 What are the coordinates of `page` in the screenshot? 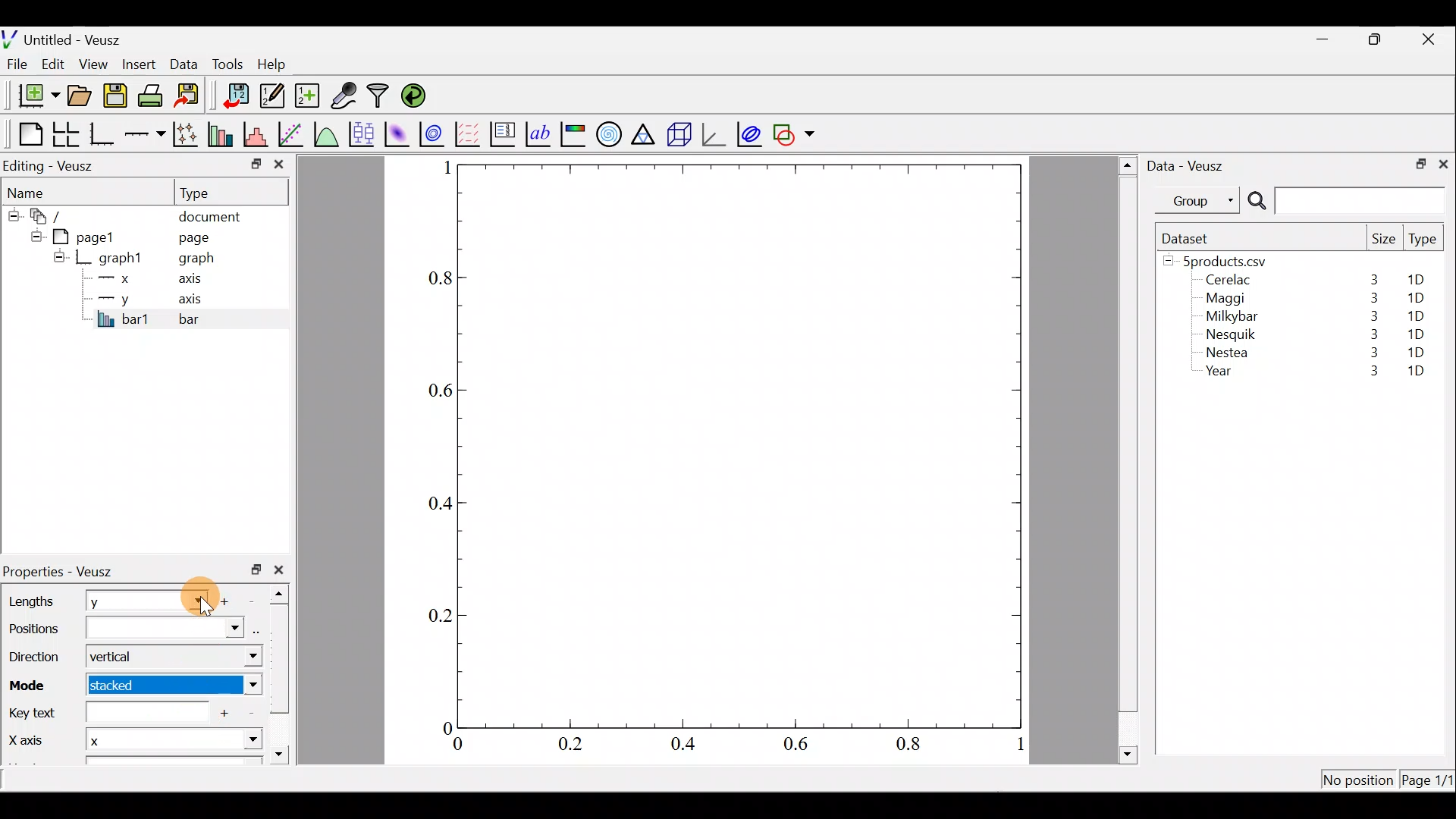 It's located at (193, 237).